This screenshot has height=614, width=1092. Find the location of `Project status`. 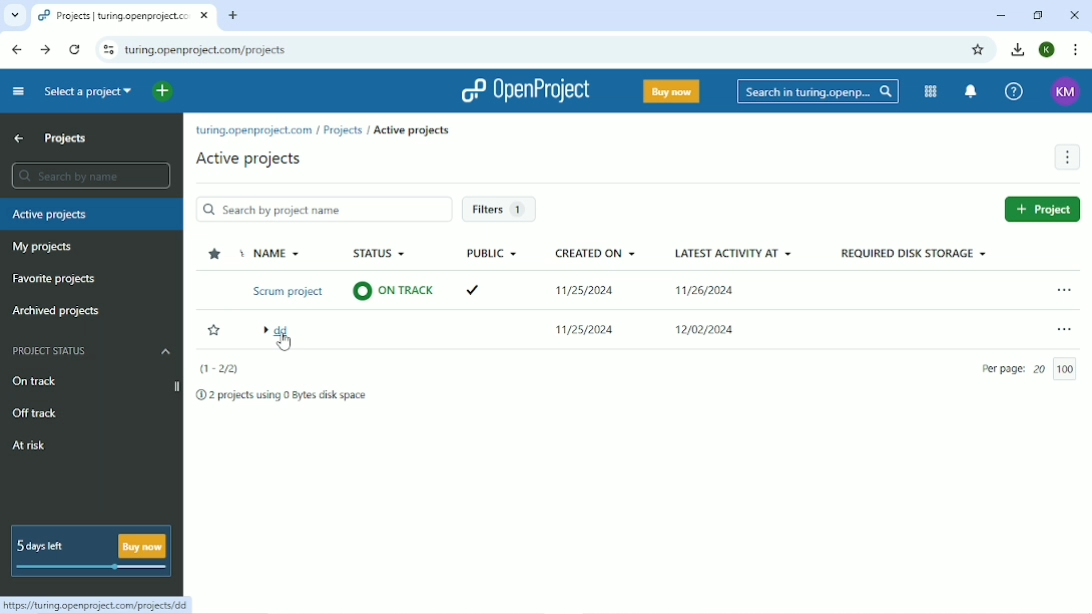

Project status is located at coordinates (90, 352).